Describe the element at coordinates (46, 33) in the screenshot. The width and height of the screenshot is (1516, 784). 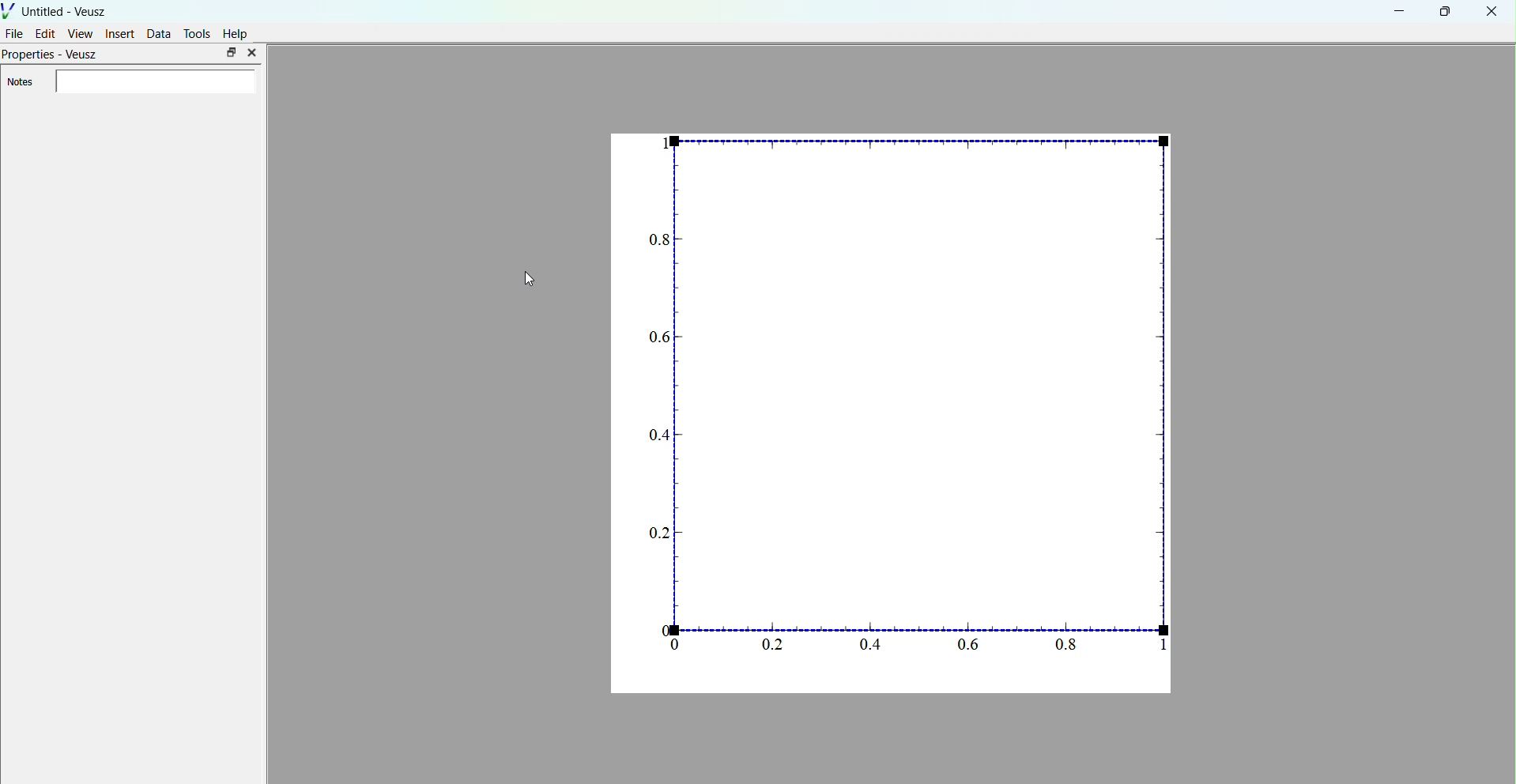
I see `Edit` at that location.